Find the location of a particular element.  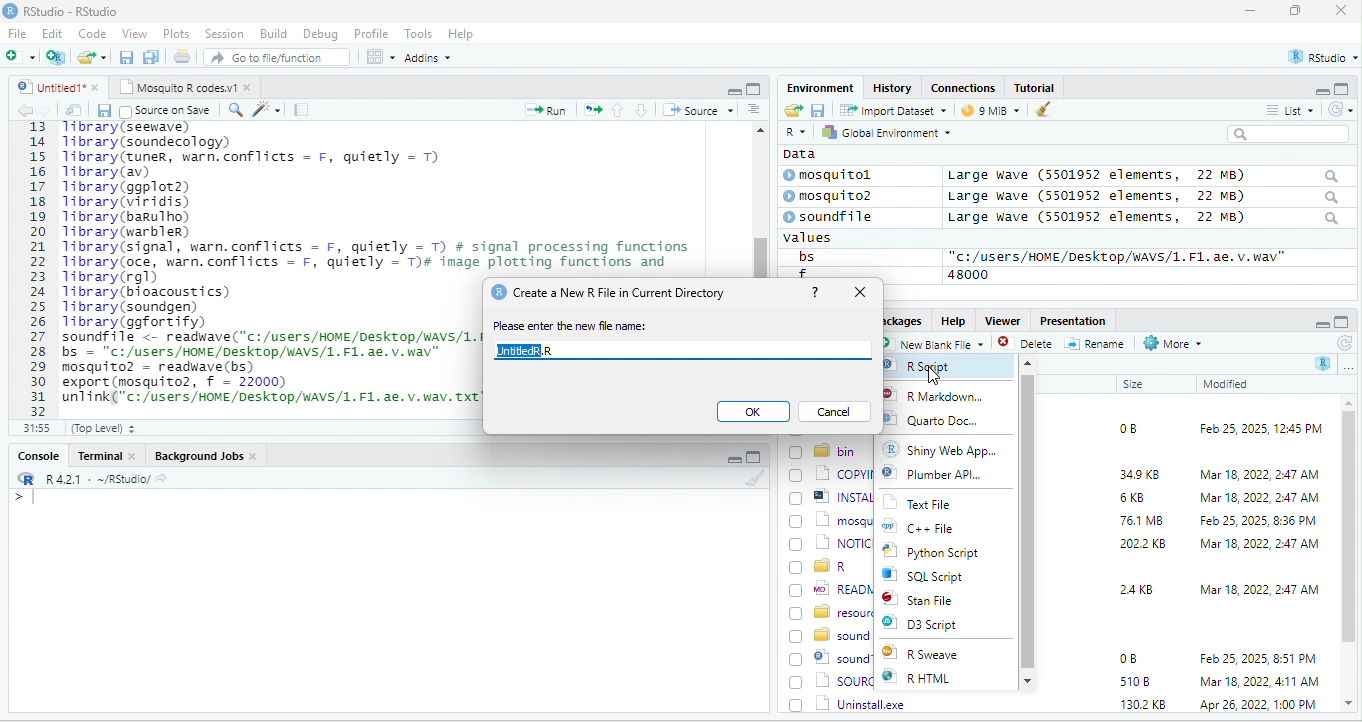

open is located at coordinates (184, 59).